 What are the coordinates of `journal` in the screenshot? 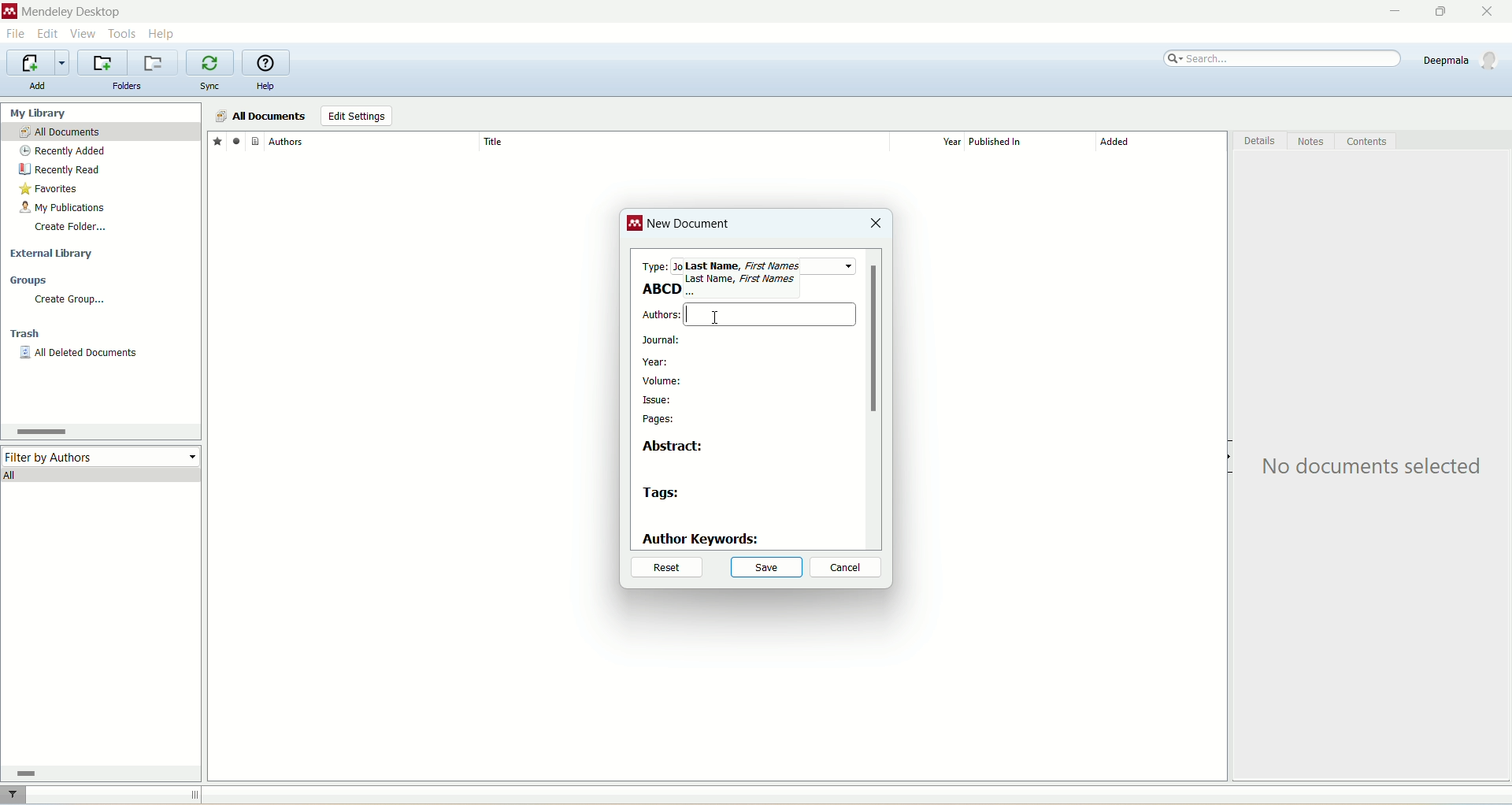 It's located at (662, 340).